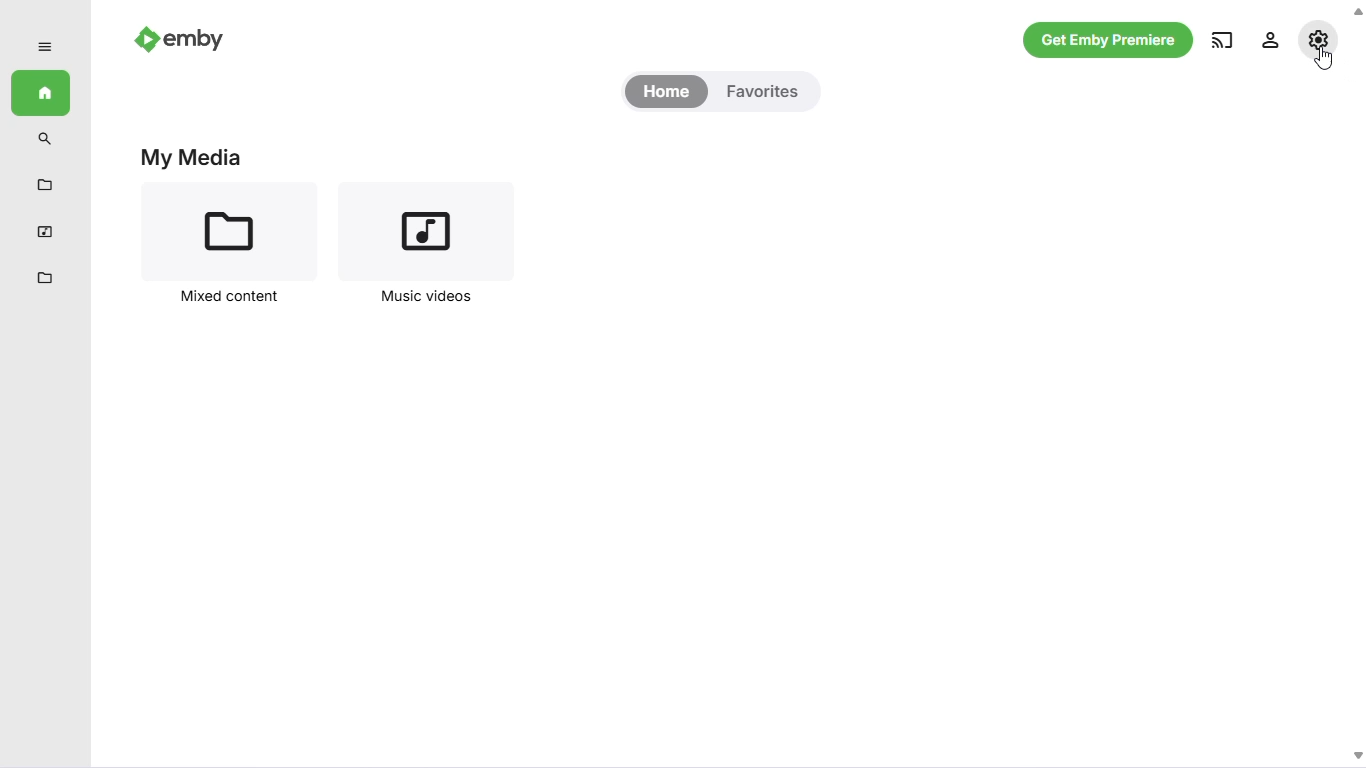 The image size is (1366, 768). Describe the element at coordinates (1109, 41) in the screenshot. I see `get emby premiere` at that location.